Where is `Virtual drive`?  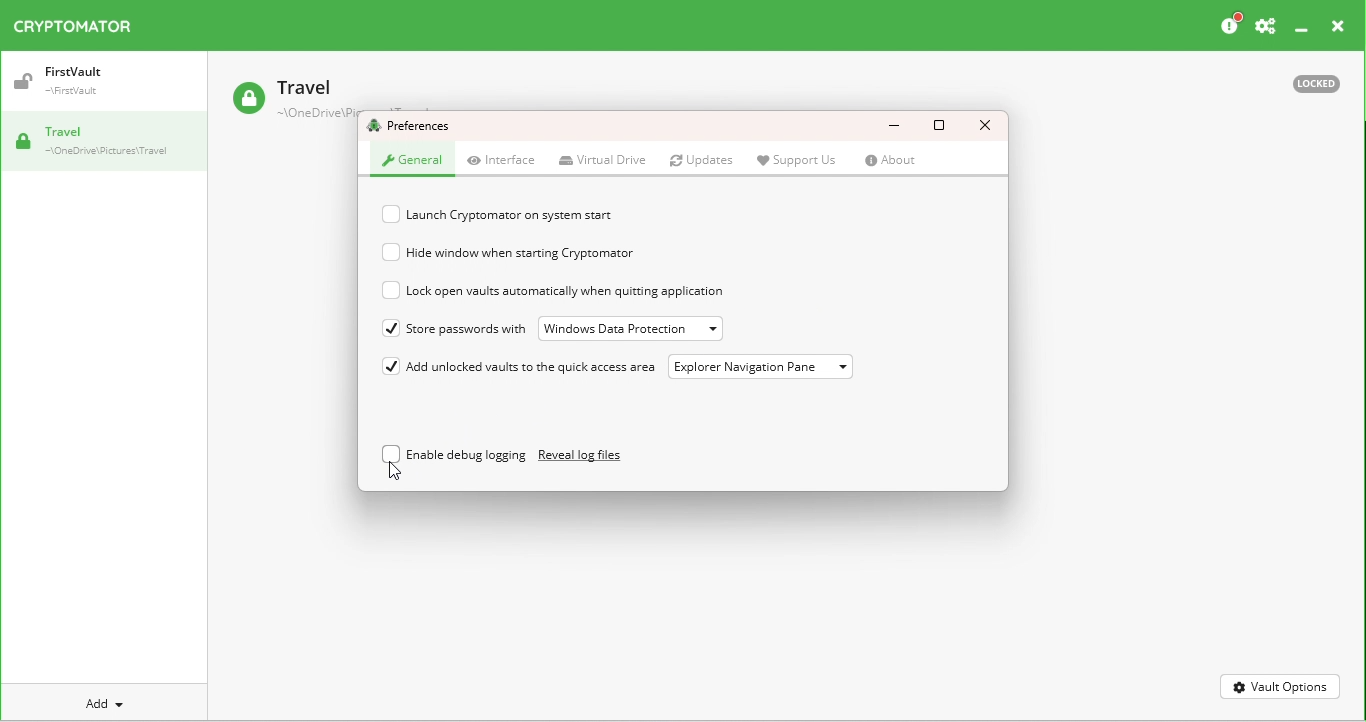
Virtual drive is located at coordinates (602, 159).